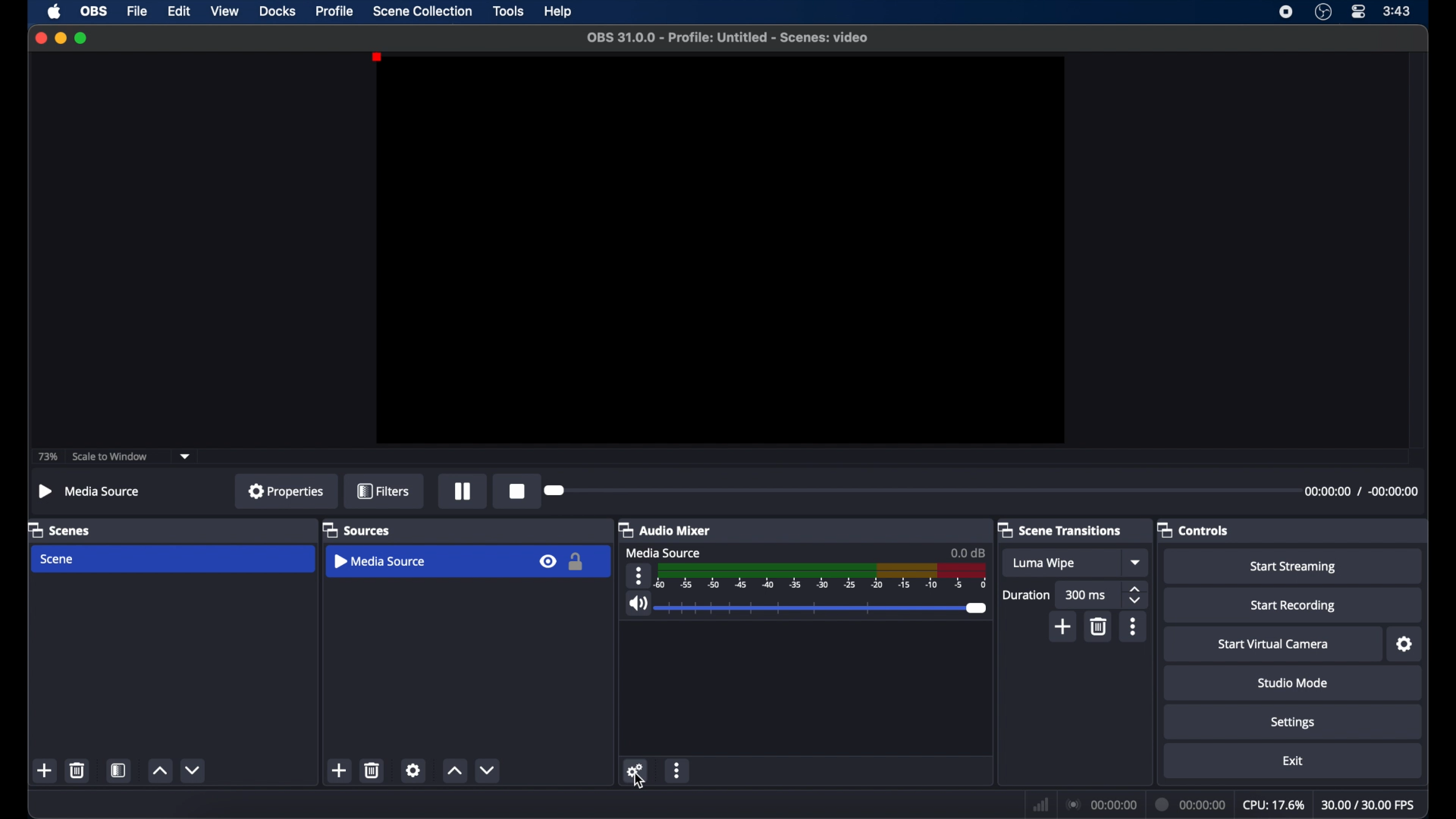  What do you see at coordinates (560, 12) in the screenshot?
I see `help` at bounding box center [560, 12].